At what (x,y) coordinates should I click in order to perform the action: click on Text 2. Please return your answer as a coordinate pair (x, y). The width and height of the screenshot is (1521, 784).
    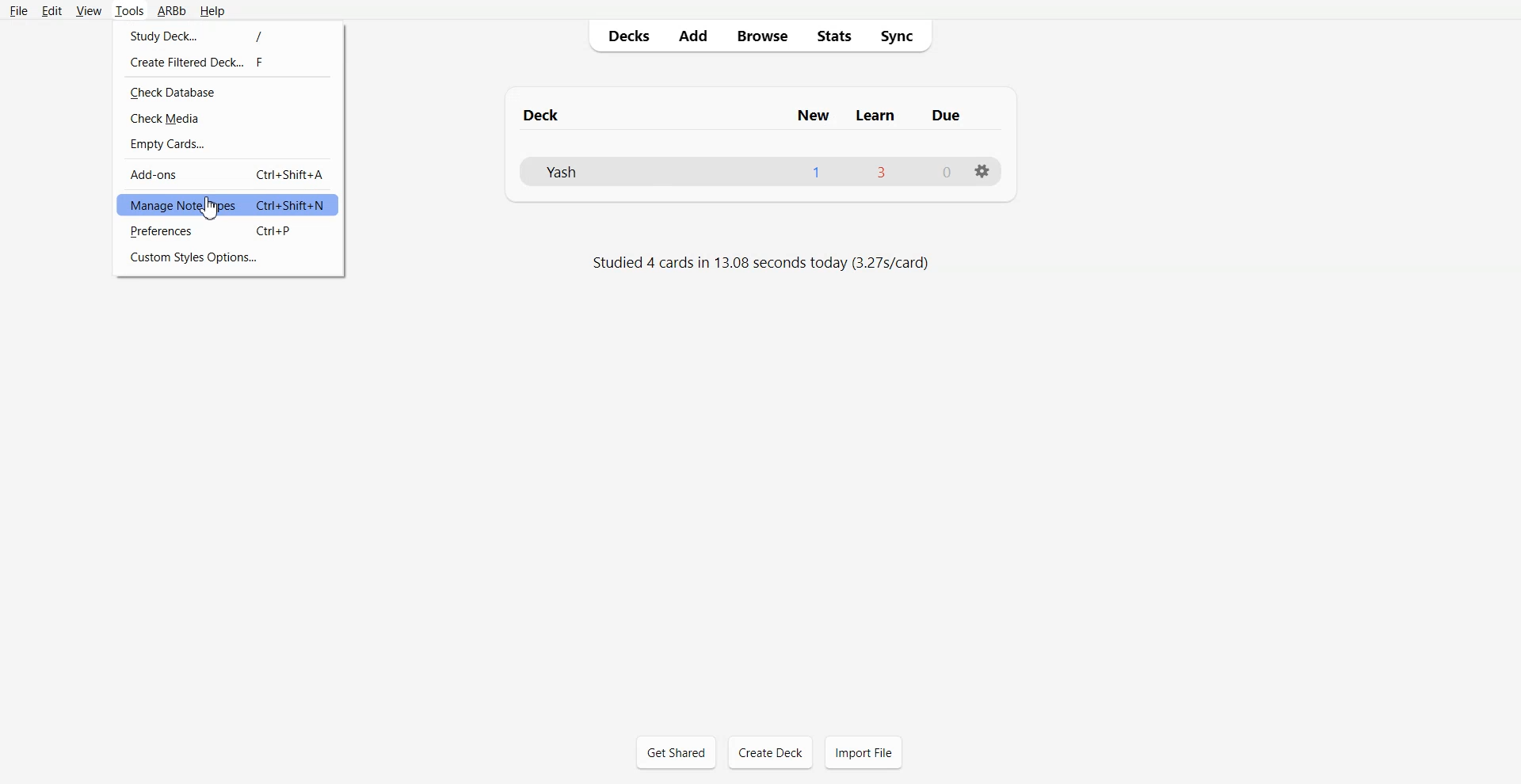
    Looking at the image, I should click on (761, 263).